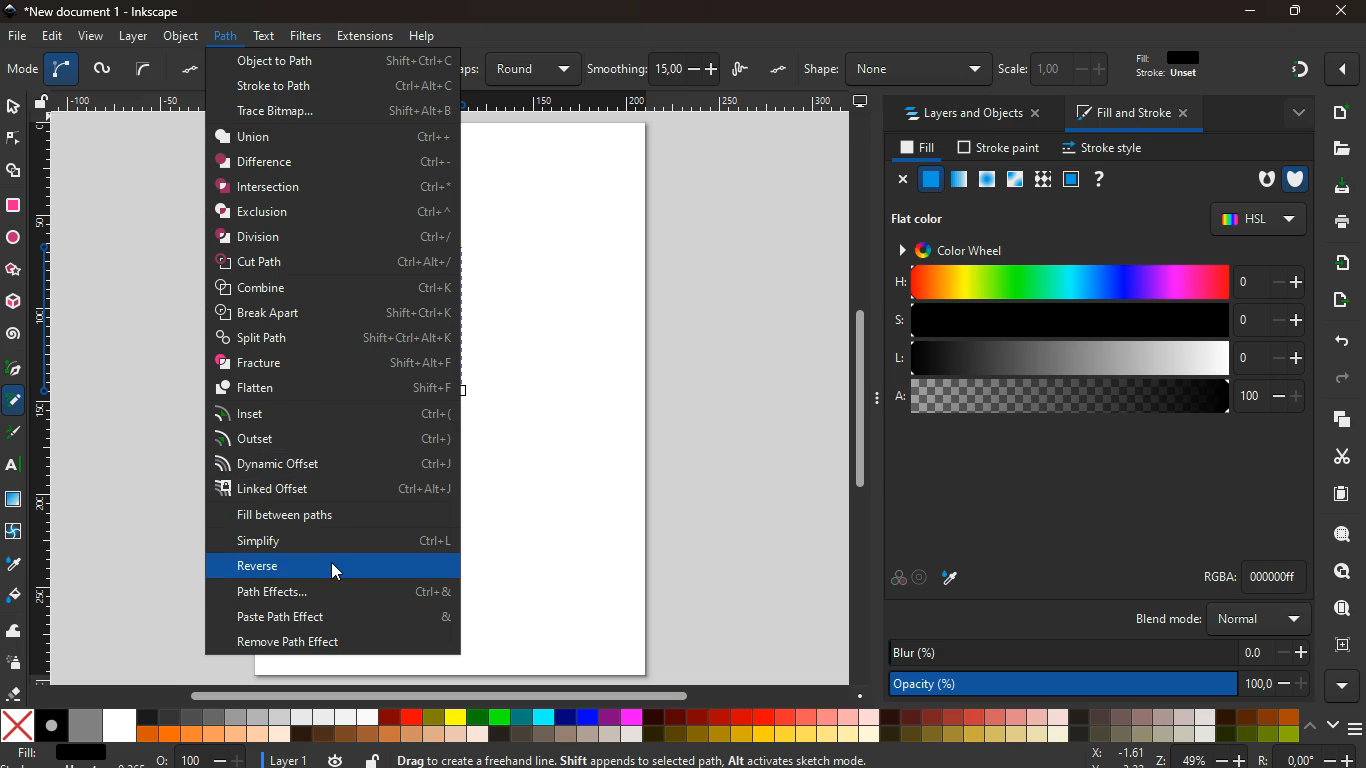  I want to click on Button, so click(337, 573).